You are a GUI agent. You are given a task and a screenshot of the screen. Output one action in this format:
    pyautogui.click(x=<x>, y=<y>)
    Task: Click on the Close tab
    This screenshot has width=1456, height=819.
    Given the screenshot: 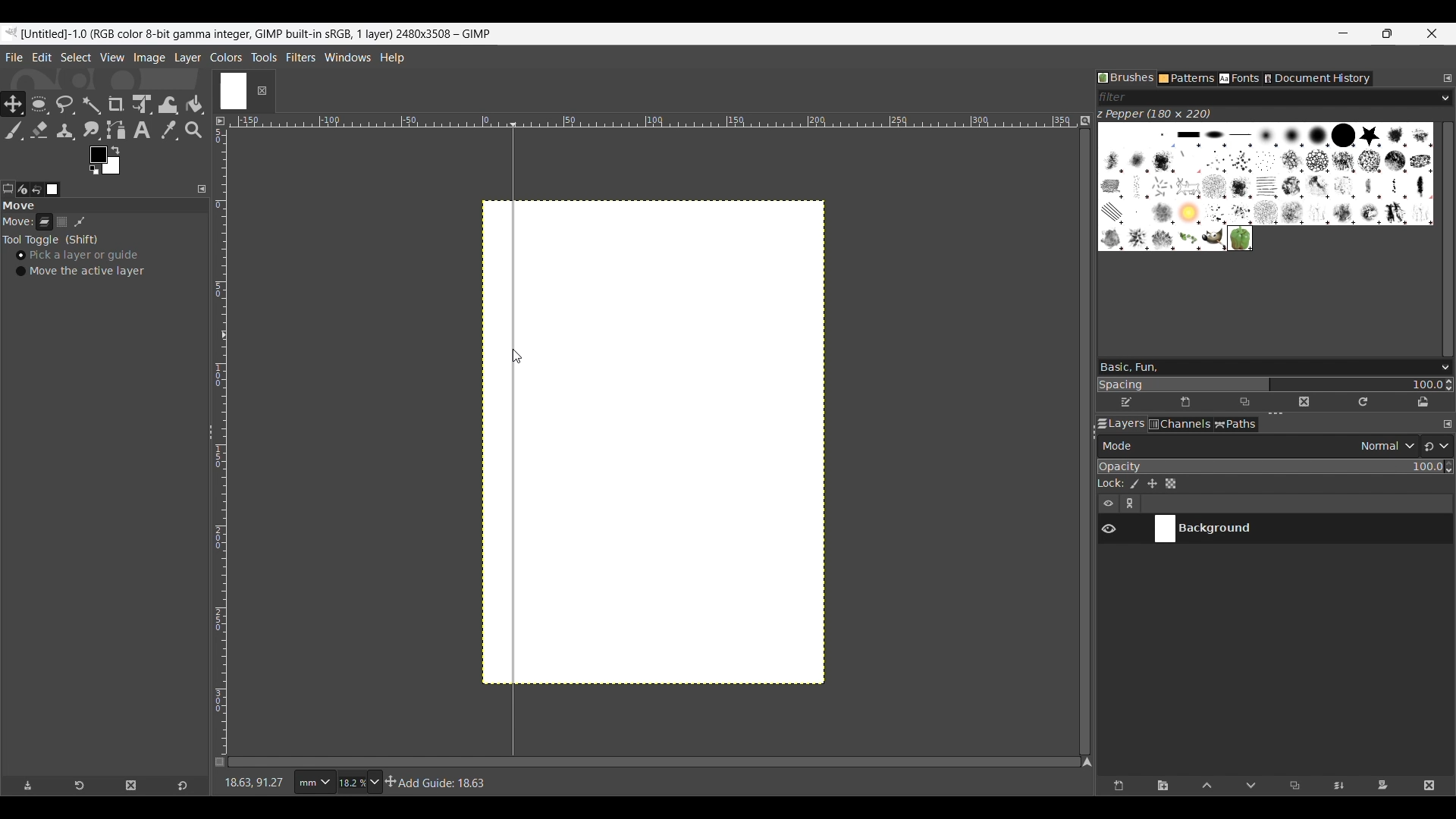 What is the action you would take?
    pyautogui.click(x=261, y=91)
    